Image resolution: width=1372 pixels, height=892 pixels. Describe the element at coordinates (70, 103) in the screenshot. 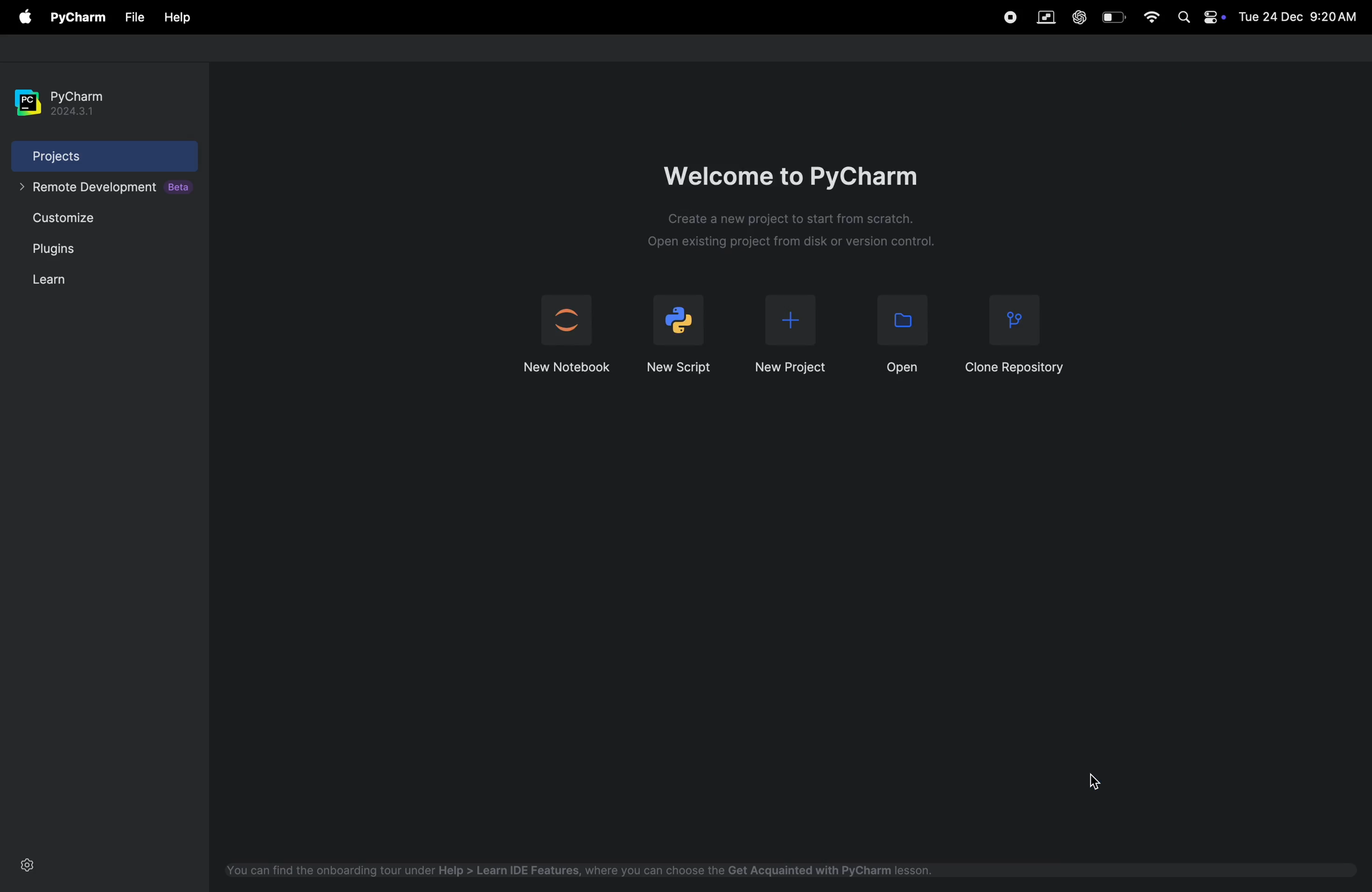

I see `pycharm version` at that location.